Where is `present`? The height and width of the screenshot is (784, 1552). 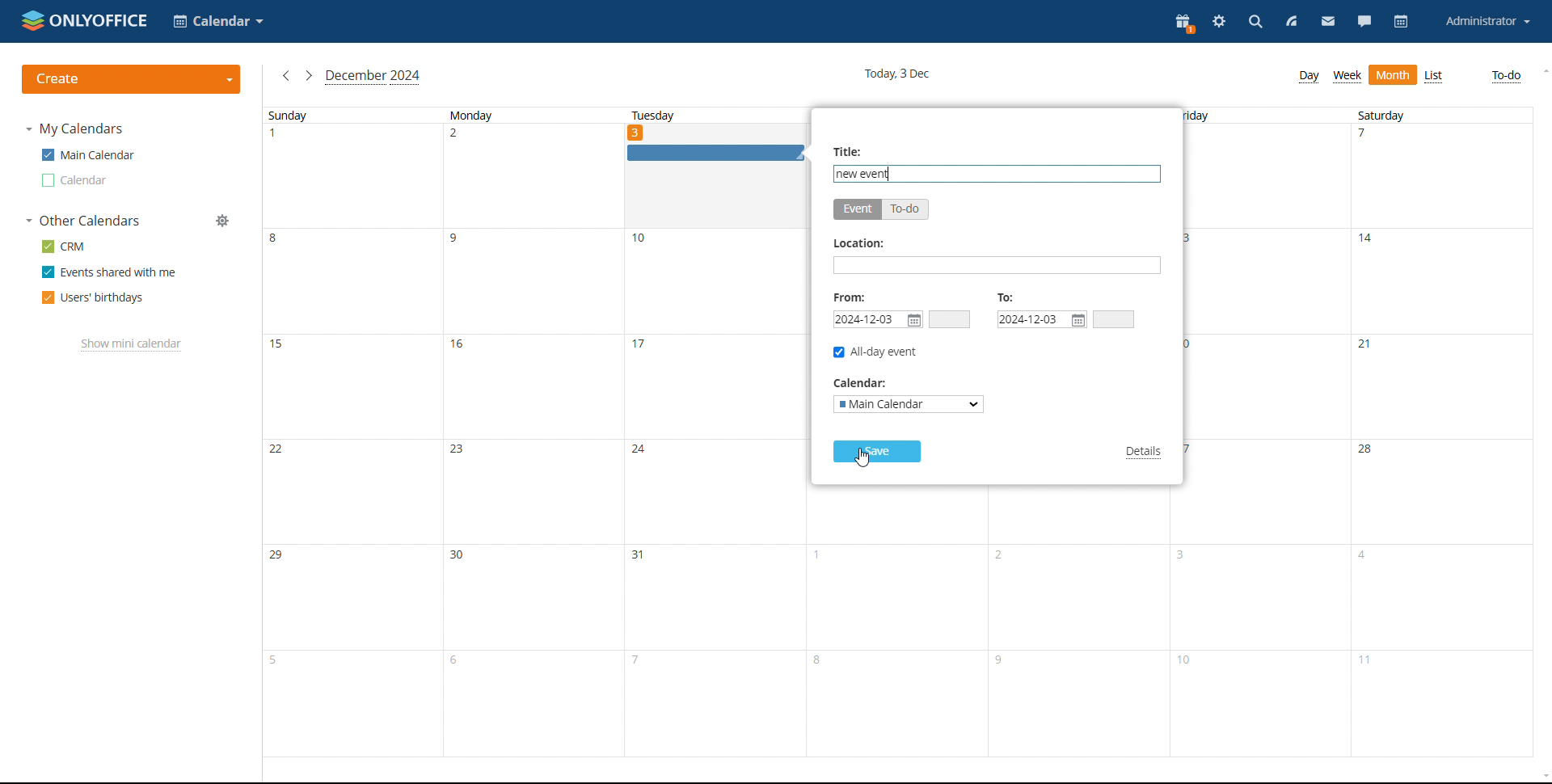 present is located at coordinates (1183, 23).